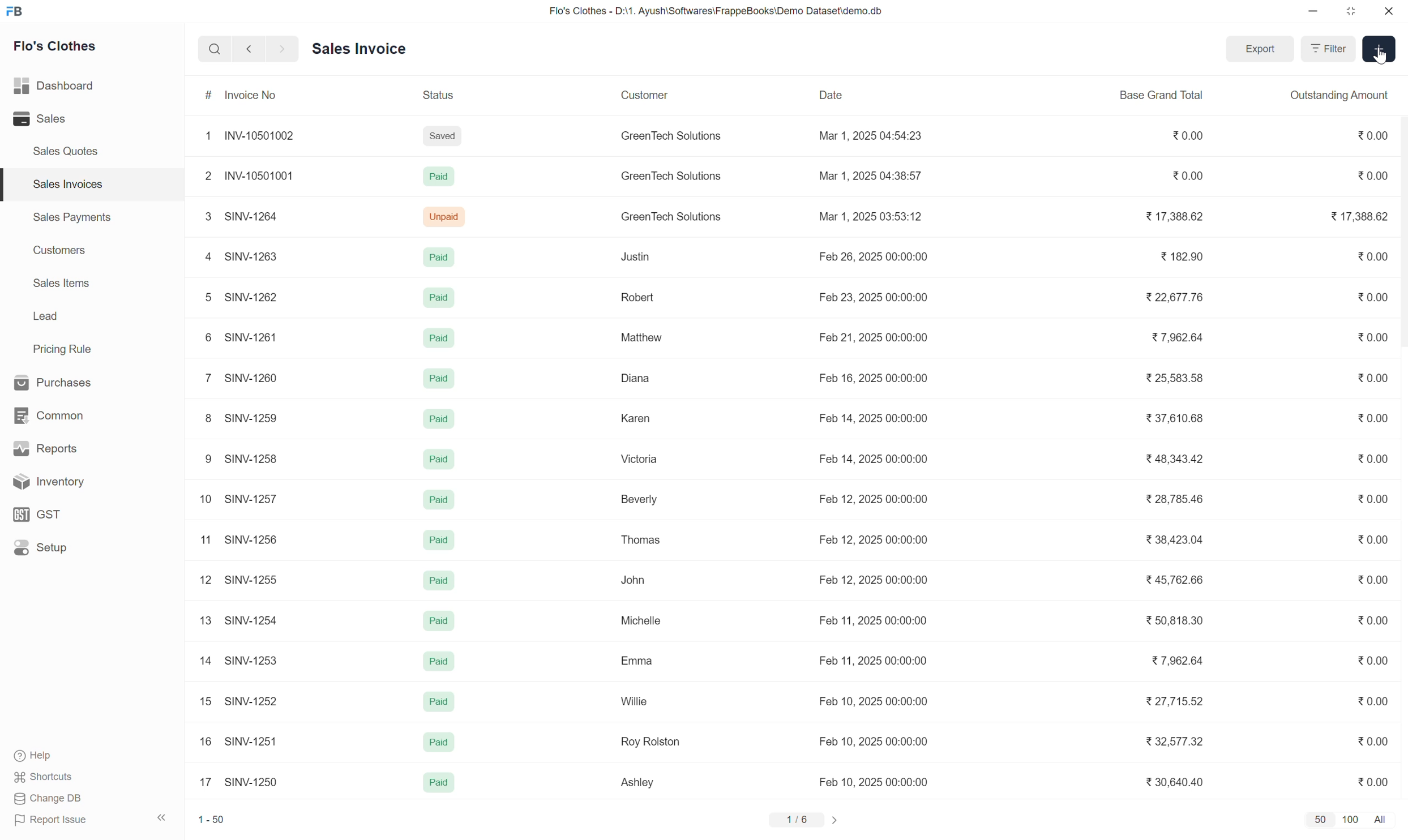 The width and height of the screenshot is (1408, 840). What do you see at coordinates (207, 340) in the screenshot?
I see `6` at bounding box center [207, 340].